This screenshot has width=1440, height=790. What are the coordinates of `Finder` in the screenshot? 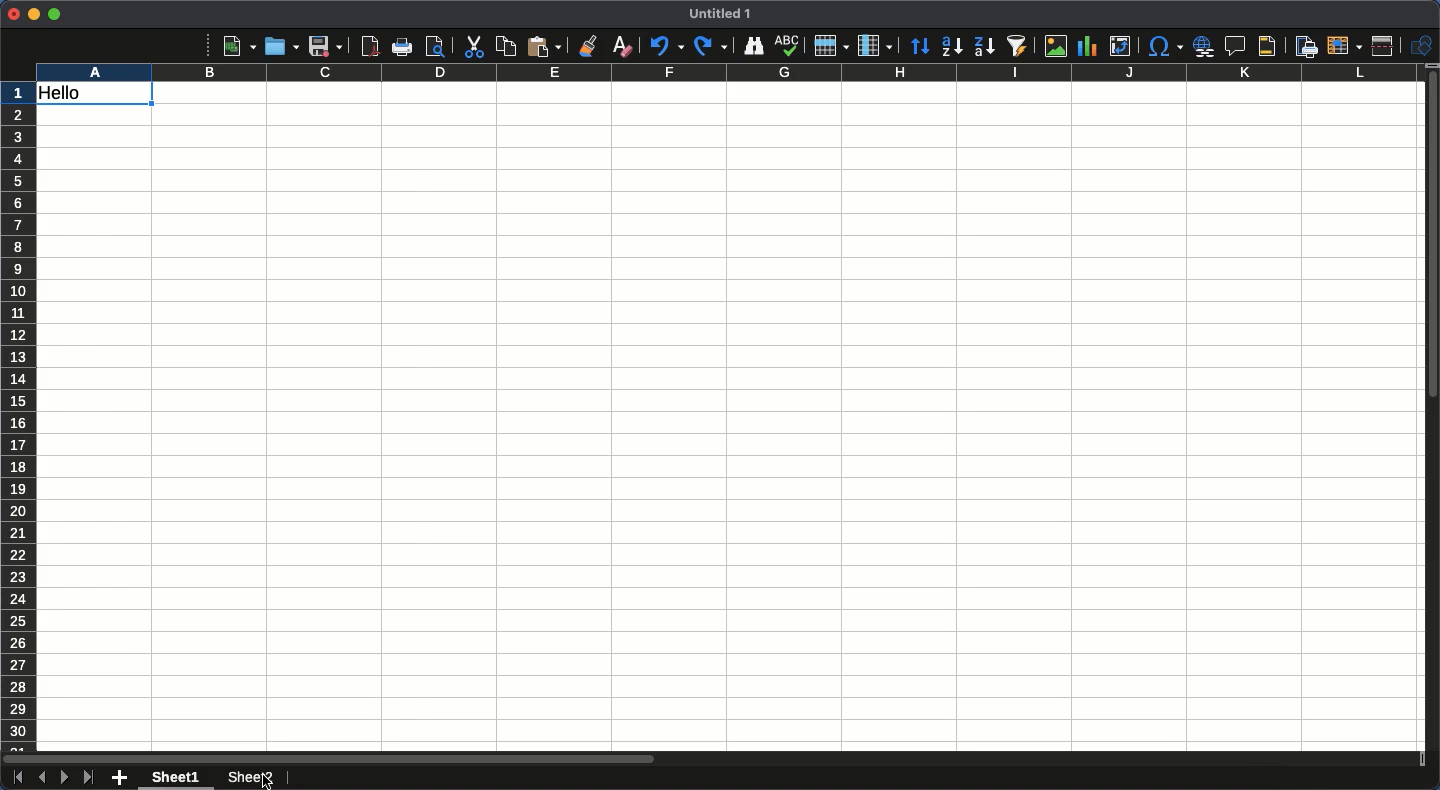 It's located at (751, 46).